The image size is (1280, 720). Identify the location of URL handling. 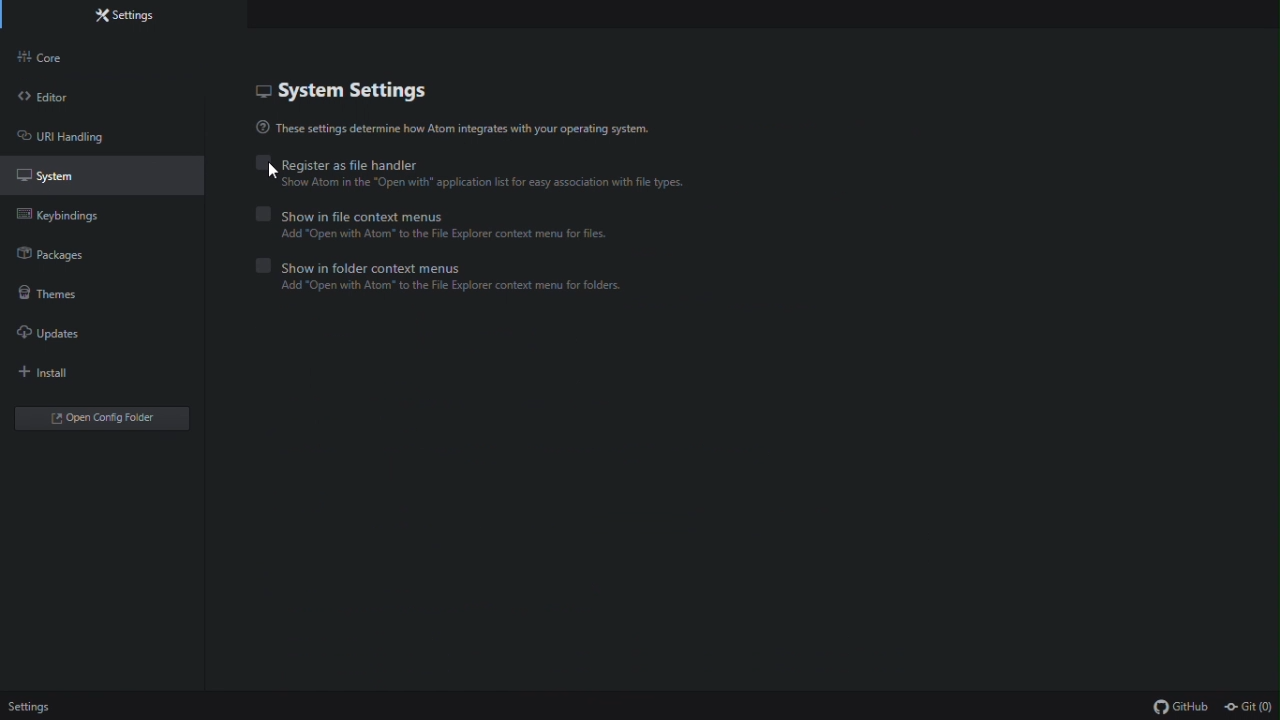
(71, 141).